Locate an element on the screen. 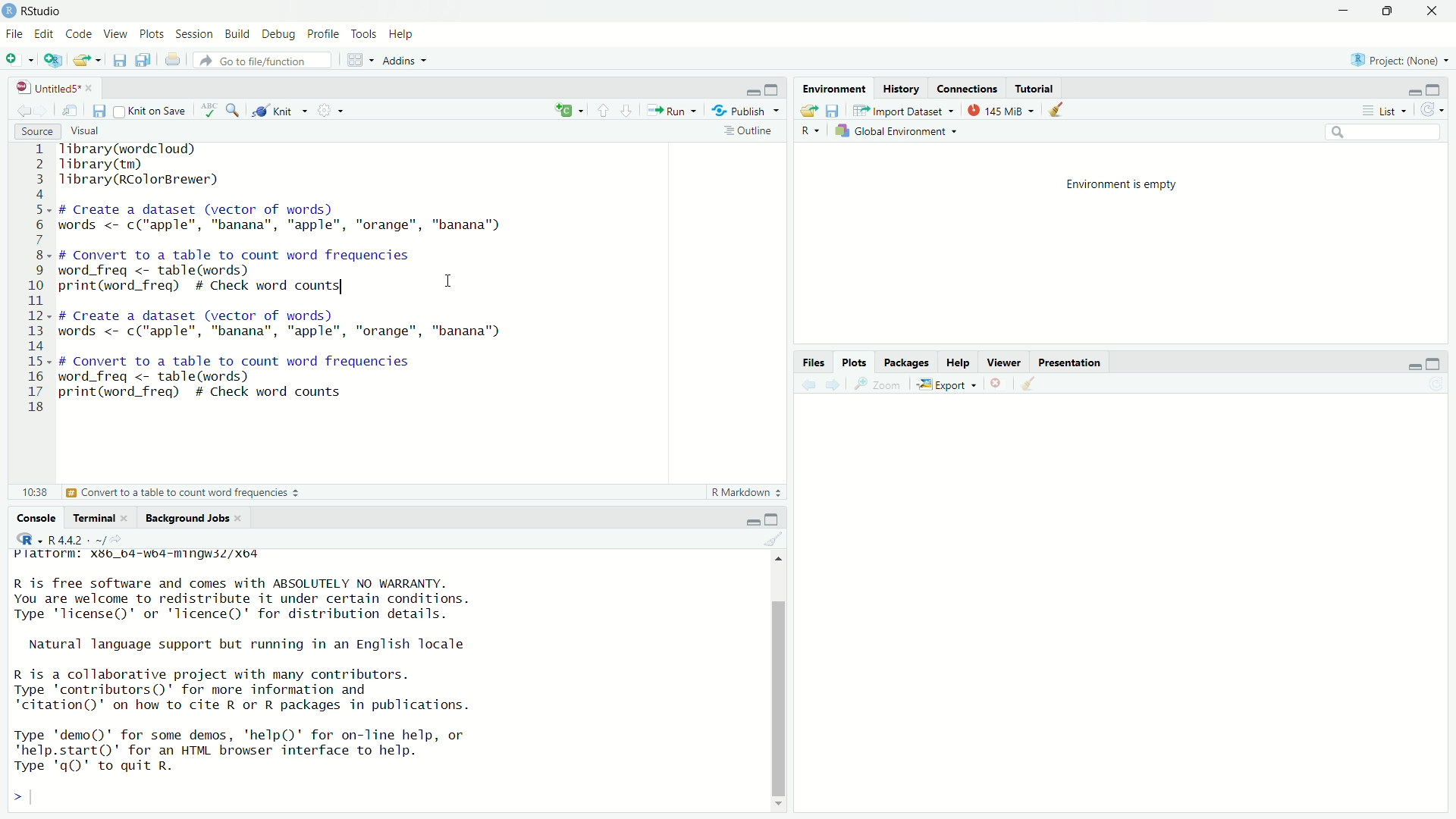 The width and height of the screenshot is (1456, 819). Source is located at coordinates (35, 131).